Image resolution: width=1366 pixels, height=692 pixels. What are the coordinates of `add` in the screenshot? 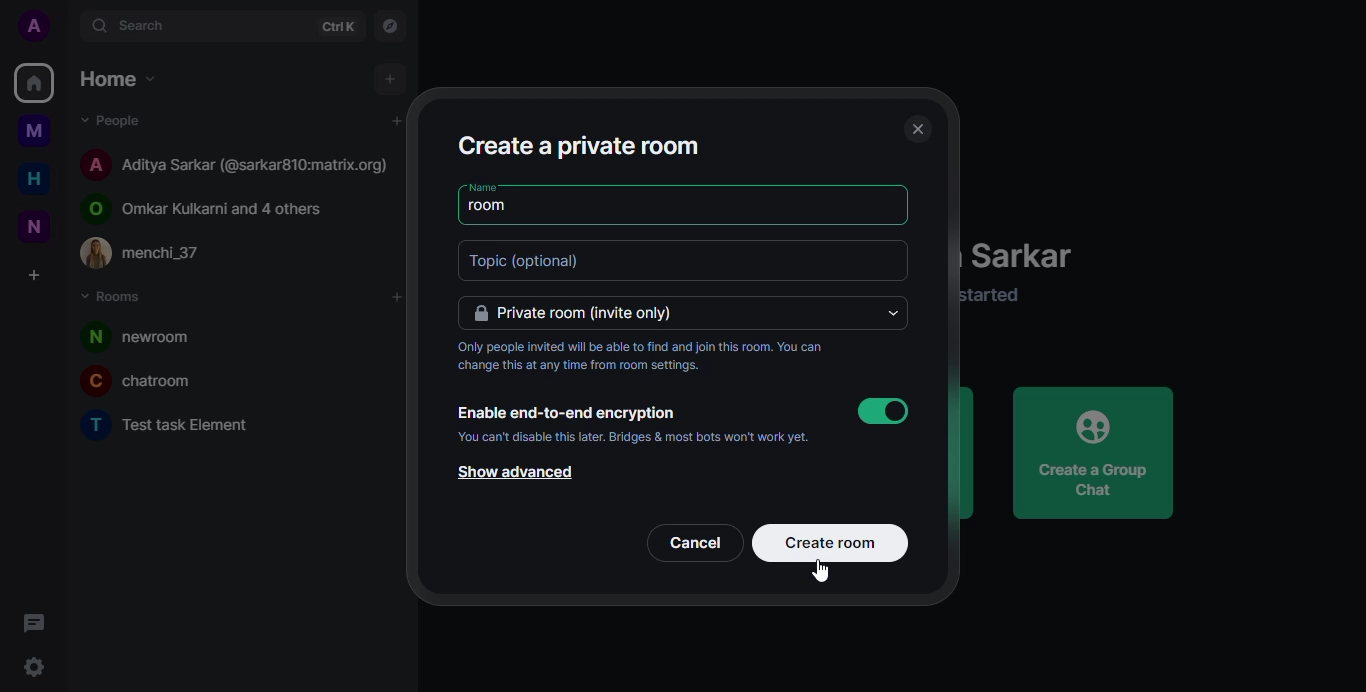 It's located at (396, 123).